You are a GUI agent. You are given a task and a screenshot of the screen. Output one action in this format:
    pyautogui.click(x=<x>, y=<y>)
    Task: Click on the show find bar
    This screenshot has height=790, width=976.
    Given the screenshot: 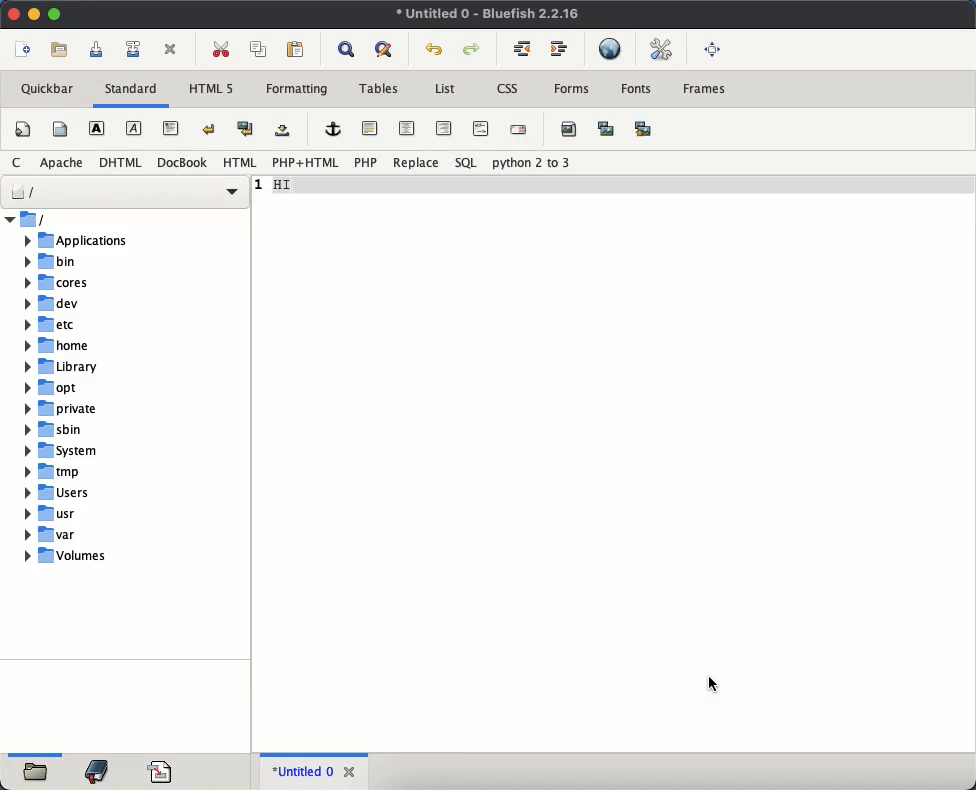 What is the action you would take?
    pyautogui.click(x=346, y=50)
    